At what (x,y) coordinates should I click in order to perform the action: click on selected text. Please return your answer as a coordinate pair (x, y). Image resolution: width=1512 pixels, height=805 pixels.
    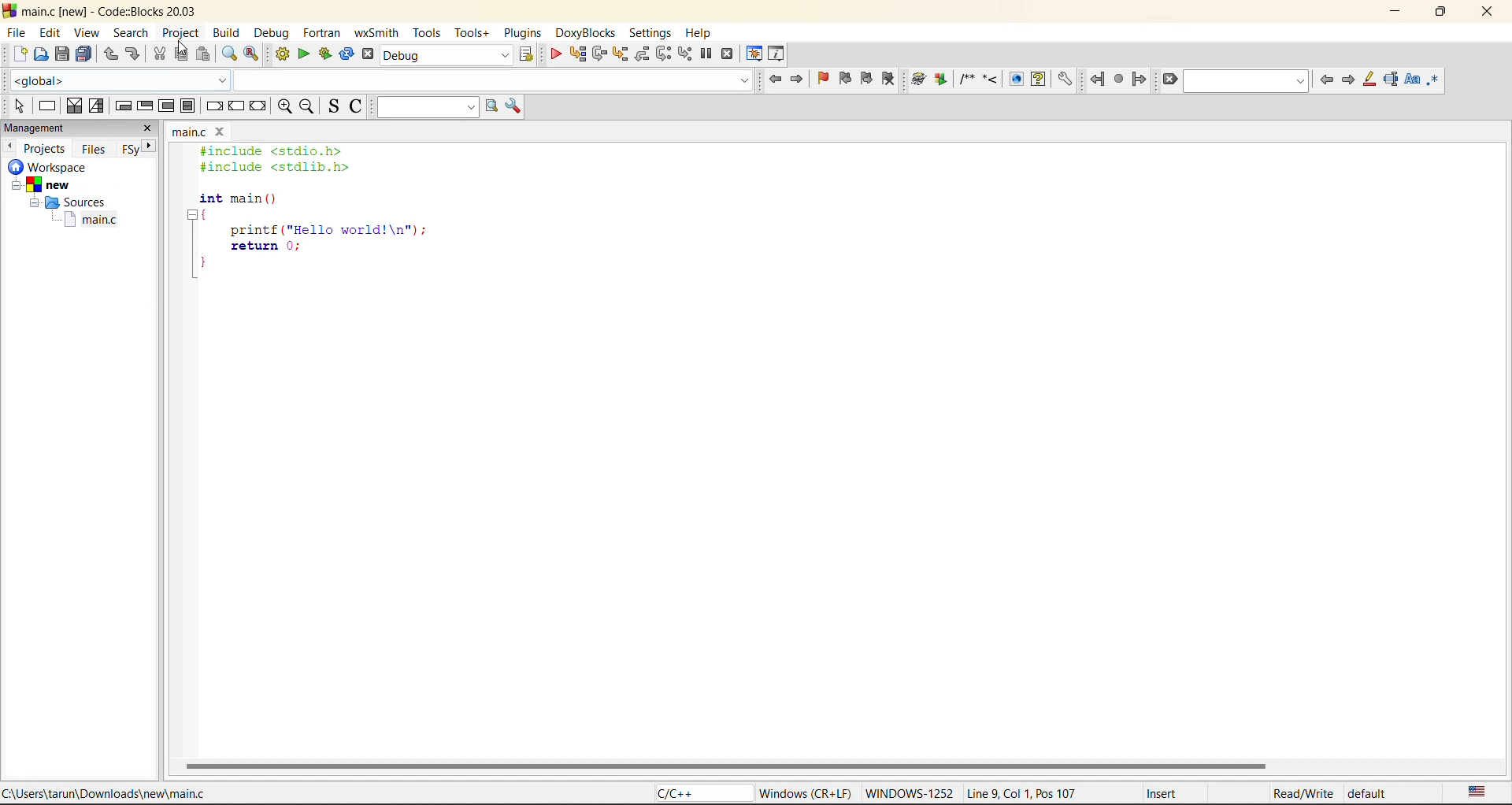
    Looking at the image, I should click on (1393, 79).